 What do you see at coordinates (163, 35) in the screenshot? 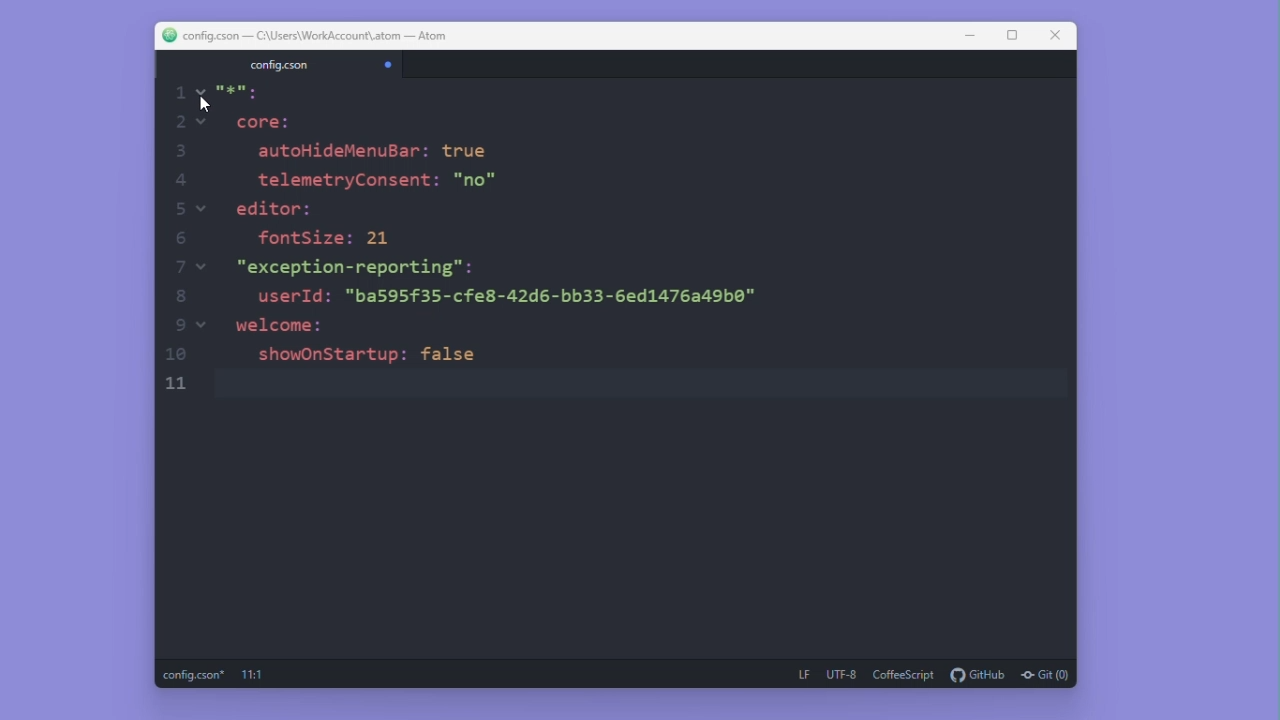
I see `logo` at bounding box center [163, 35].